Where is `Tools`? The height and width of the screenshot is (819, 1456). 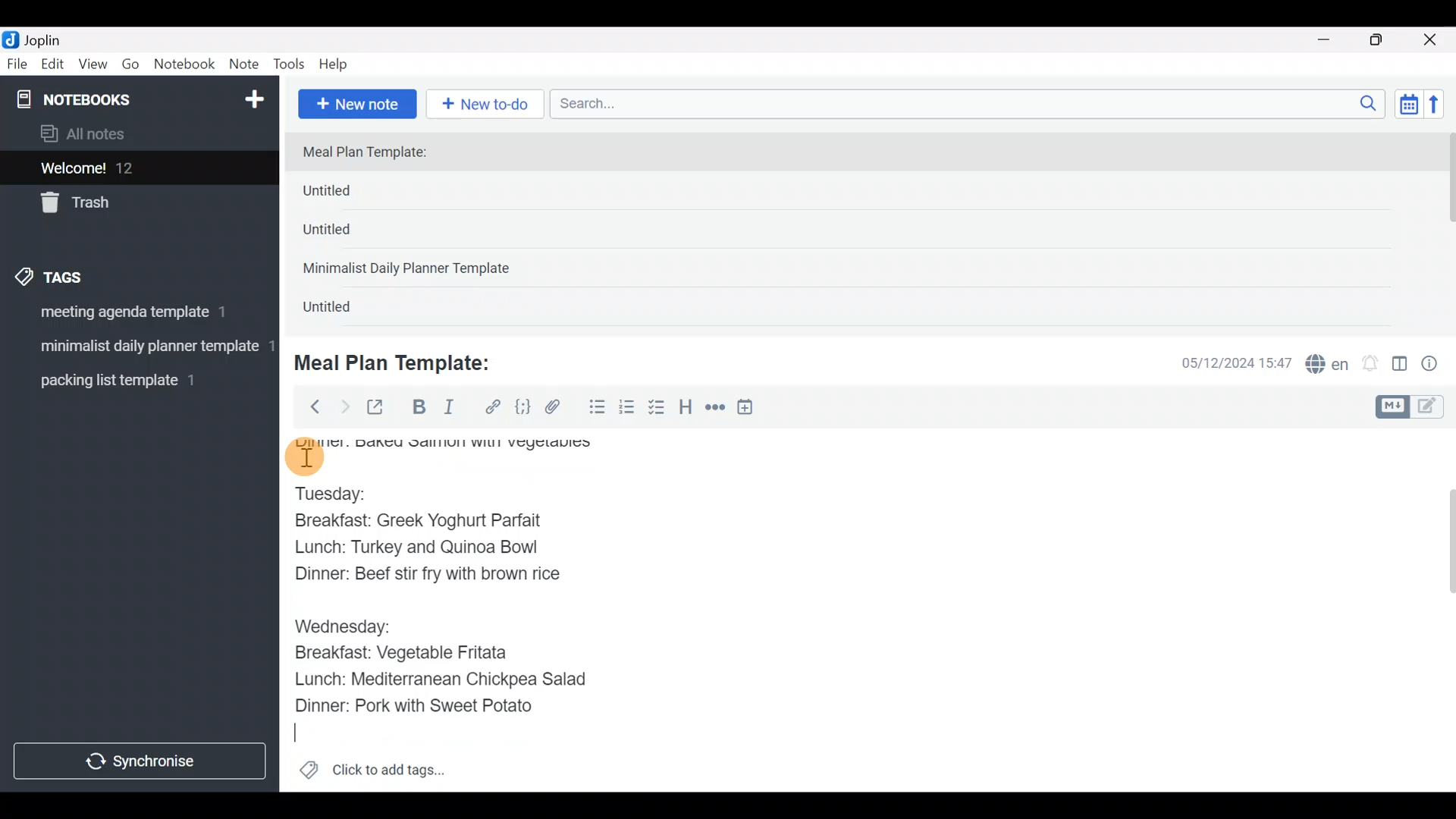
Tools is located at coordinates (290, 65).